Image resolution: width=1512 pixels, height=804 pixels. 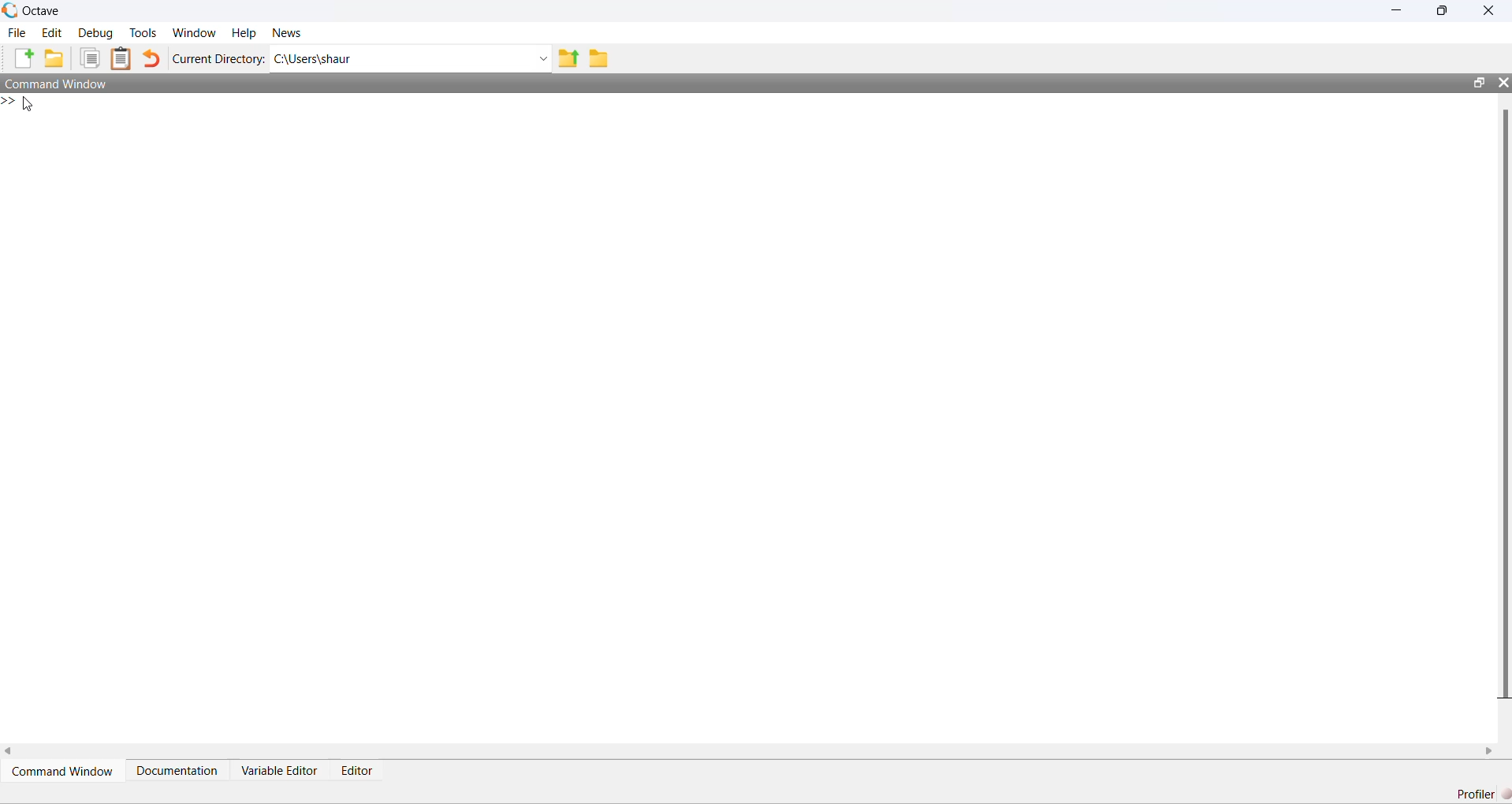 I want to click on News, so click(x=287, y=33).